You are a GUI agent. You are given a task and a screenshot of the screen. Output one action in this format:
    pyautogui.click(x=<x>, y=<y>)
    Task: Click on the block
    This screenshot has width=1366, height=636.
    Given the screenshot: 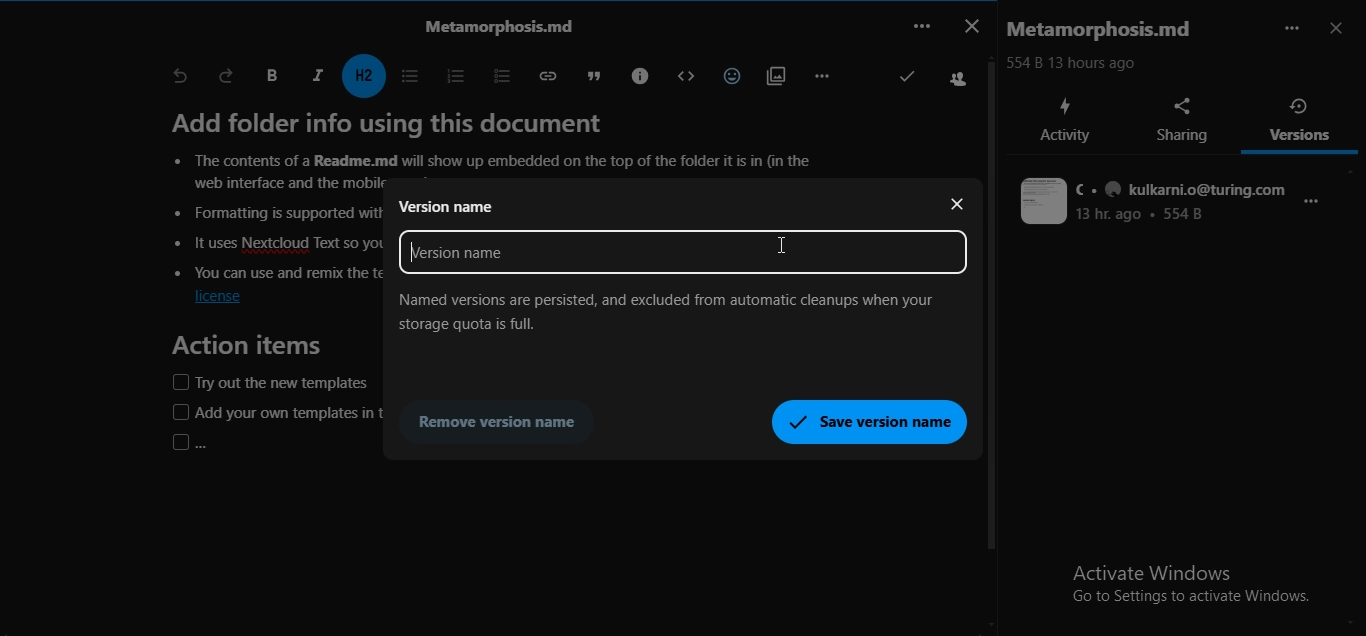 What is the action you would take?
    pyautogui.click(x=681, y=76)
    